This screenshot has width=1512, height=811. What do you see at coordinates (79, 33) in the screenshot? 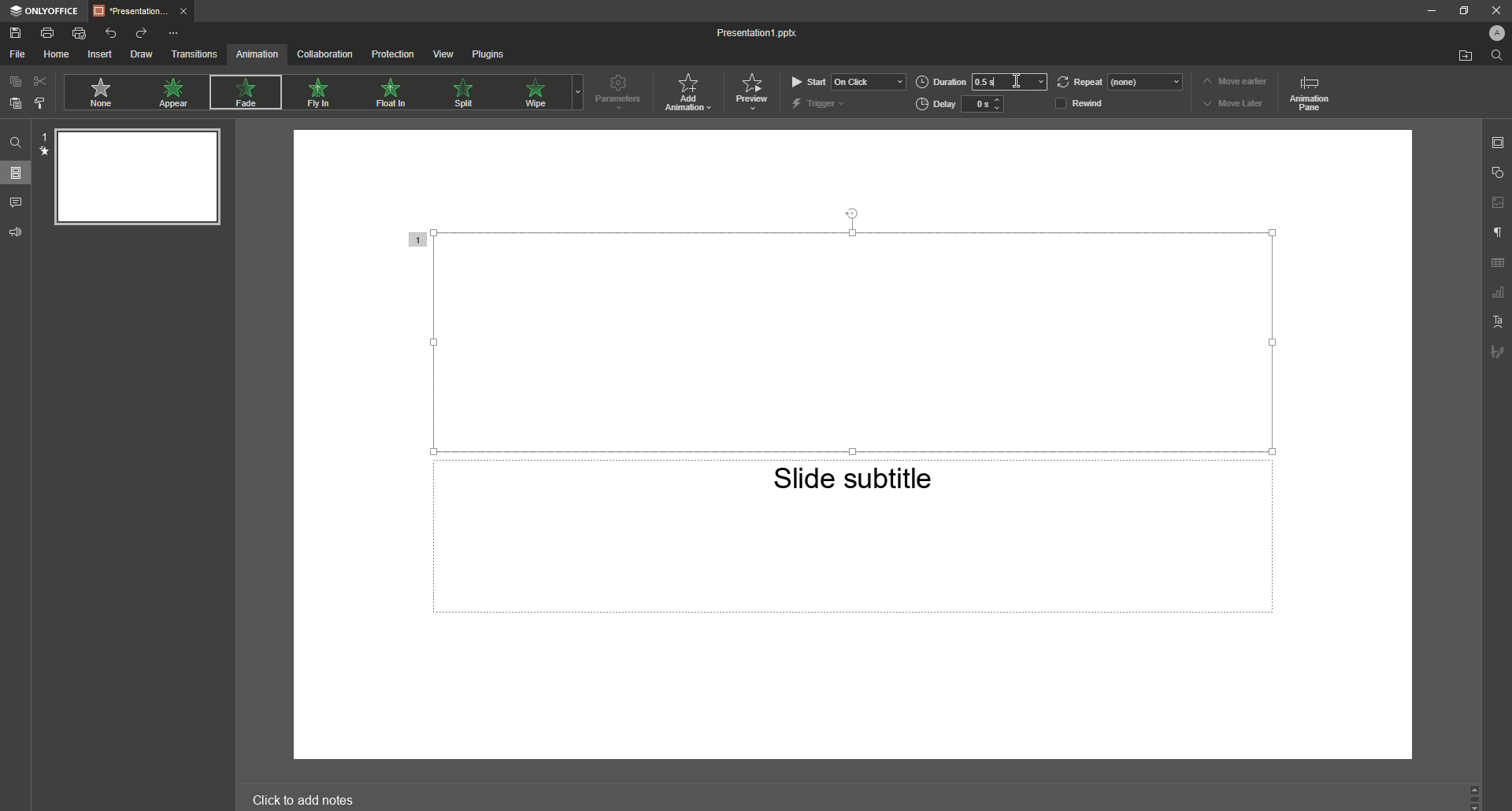
I see `Quick Print` at bounding box center [79, 33].